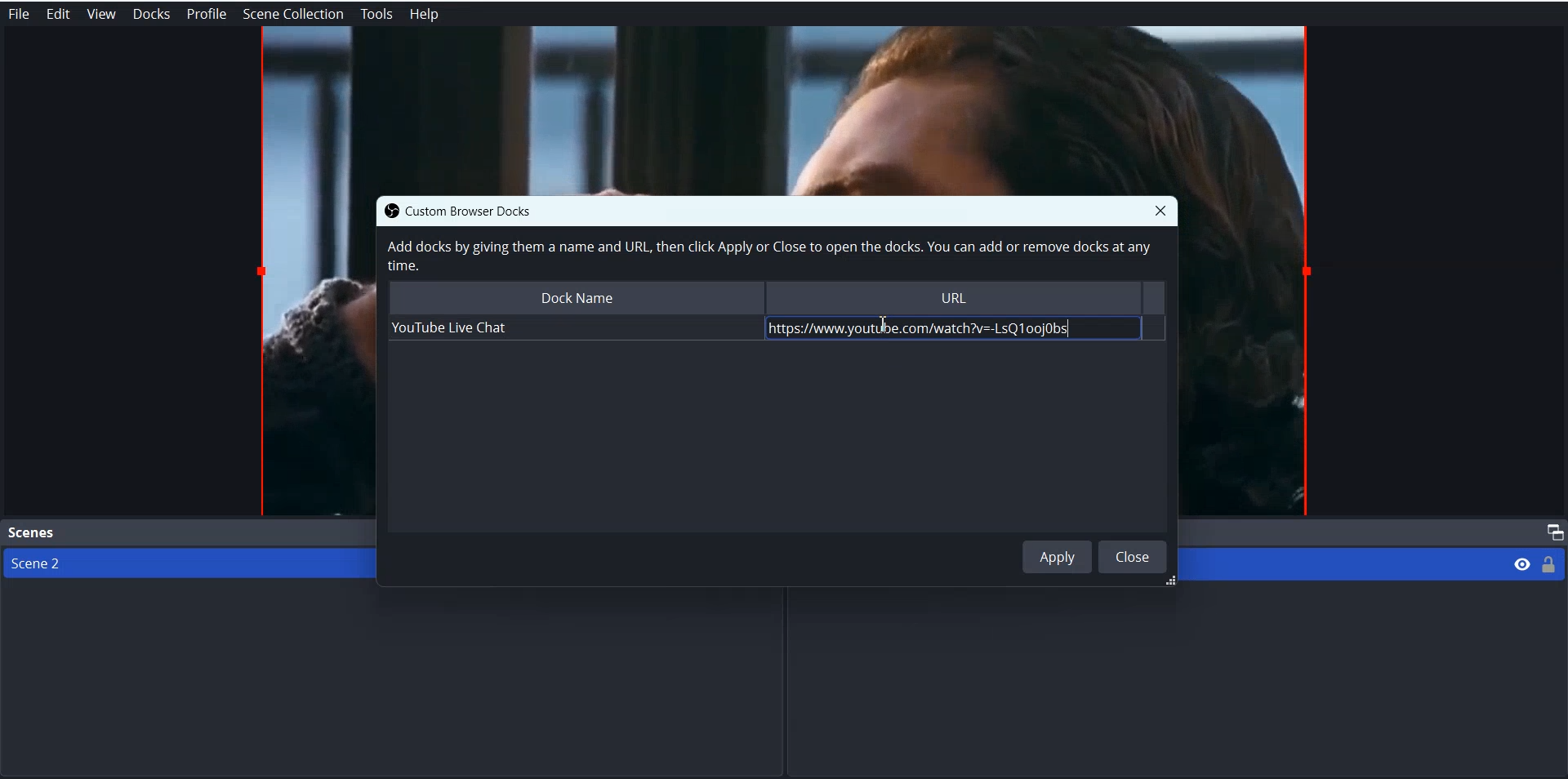  Describe the element at coordinates (376, 15) in the screenshot. I see `Tools` at that location.